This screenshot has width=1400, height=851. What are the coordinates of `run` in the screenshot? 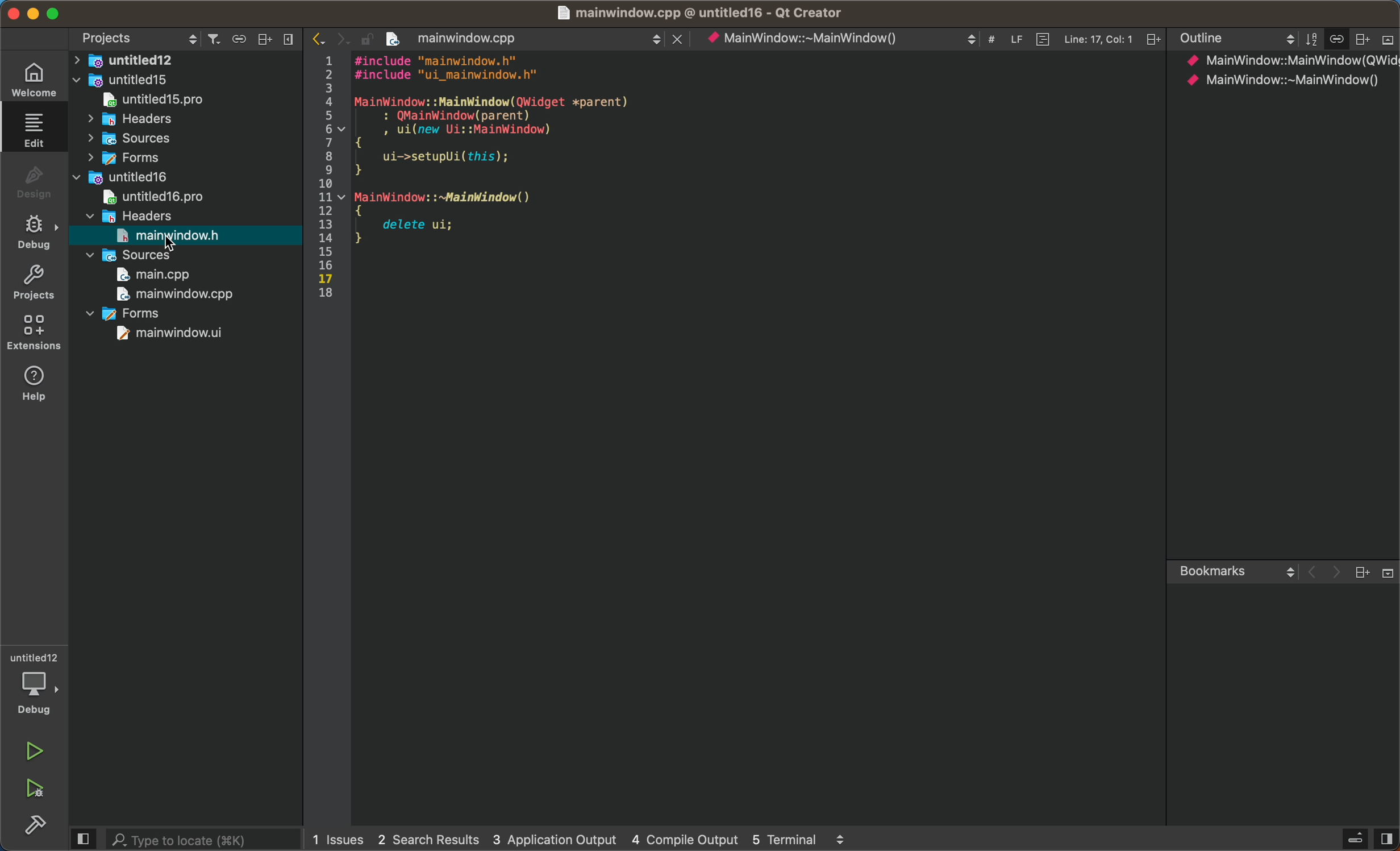 It's located at (34, 749).